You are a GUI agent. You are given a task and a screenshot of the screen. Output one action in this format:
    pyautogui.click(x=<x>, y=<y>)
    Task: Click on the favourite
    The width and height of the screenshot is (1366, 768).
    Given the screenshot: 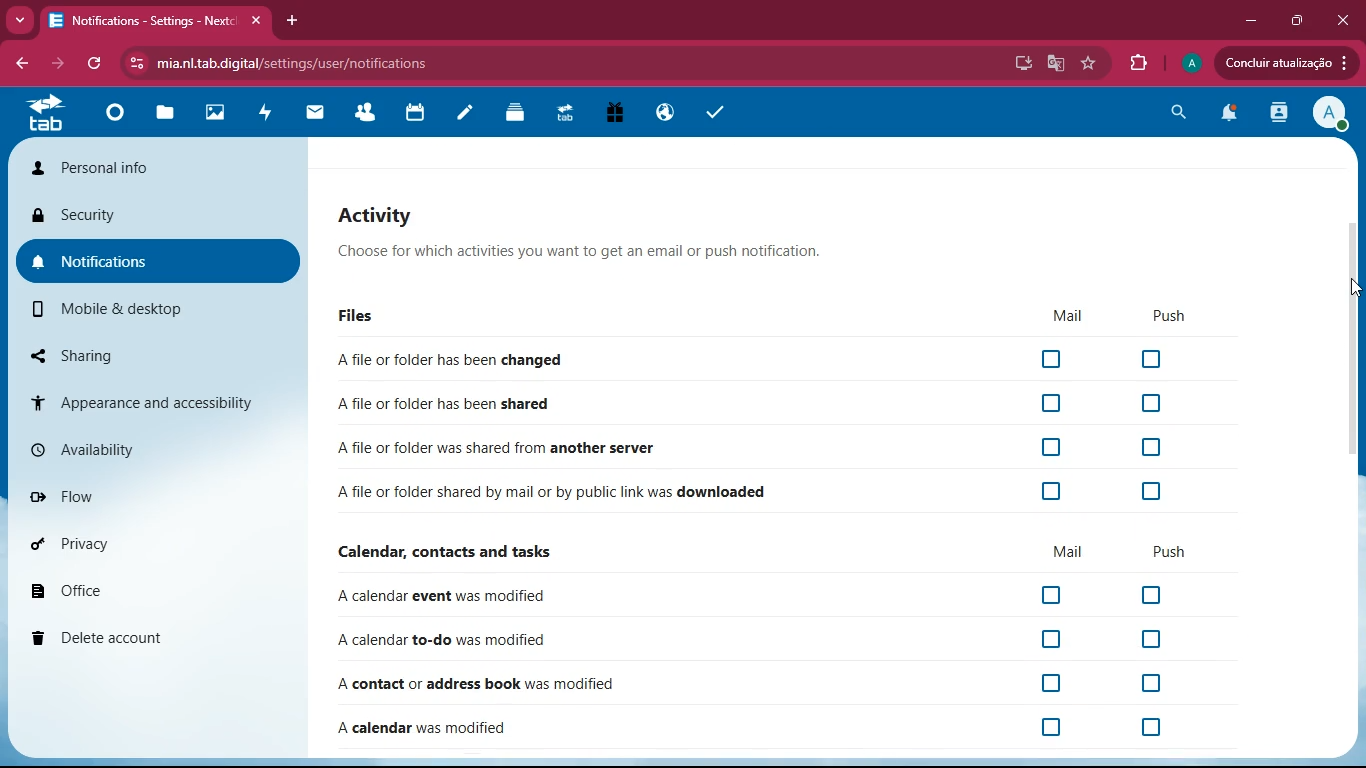 What is the action you would take?
    pyautogui.click(x=1090, y=63)
    